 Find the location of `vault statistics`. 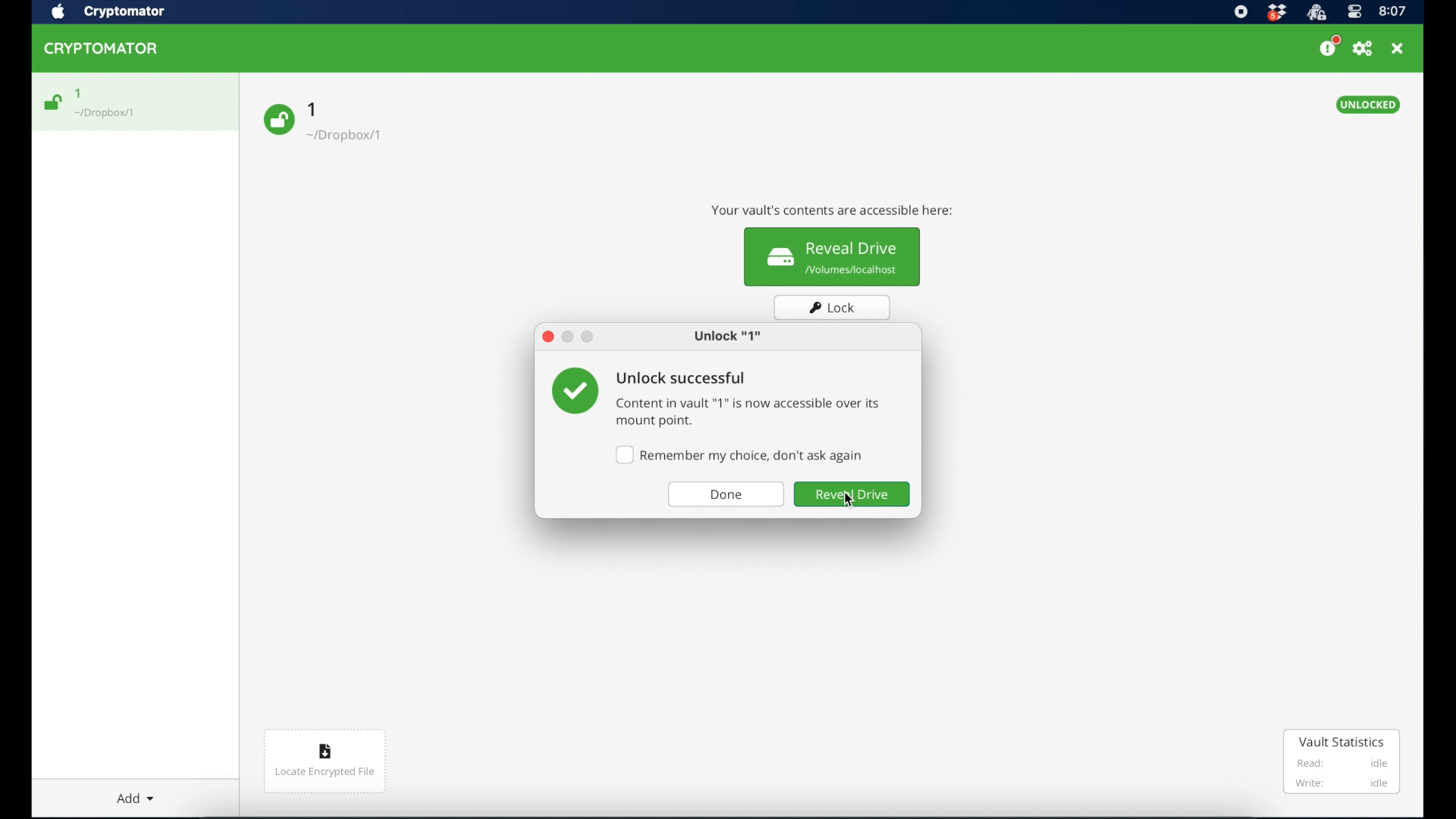

vault statistics is located at coordinates (1342, 761).